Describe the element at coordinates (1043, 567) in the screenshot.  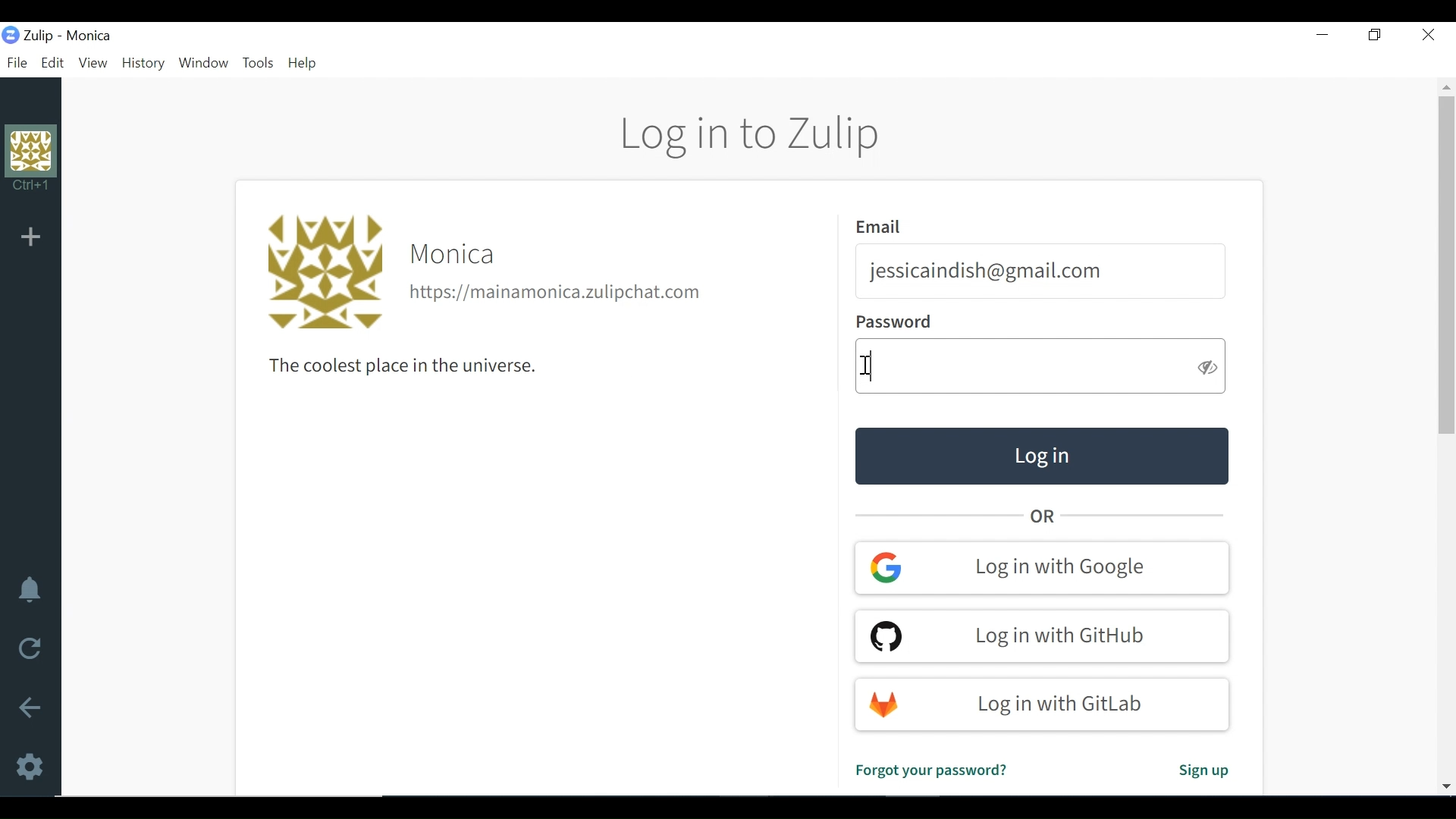
I see `Log in with google` at that location.